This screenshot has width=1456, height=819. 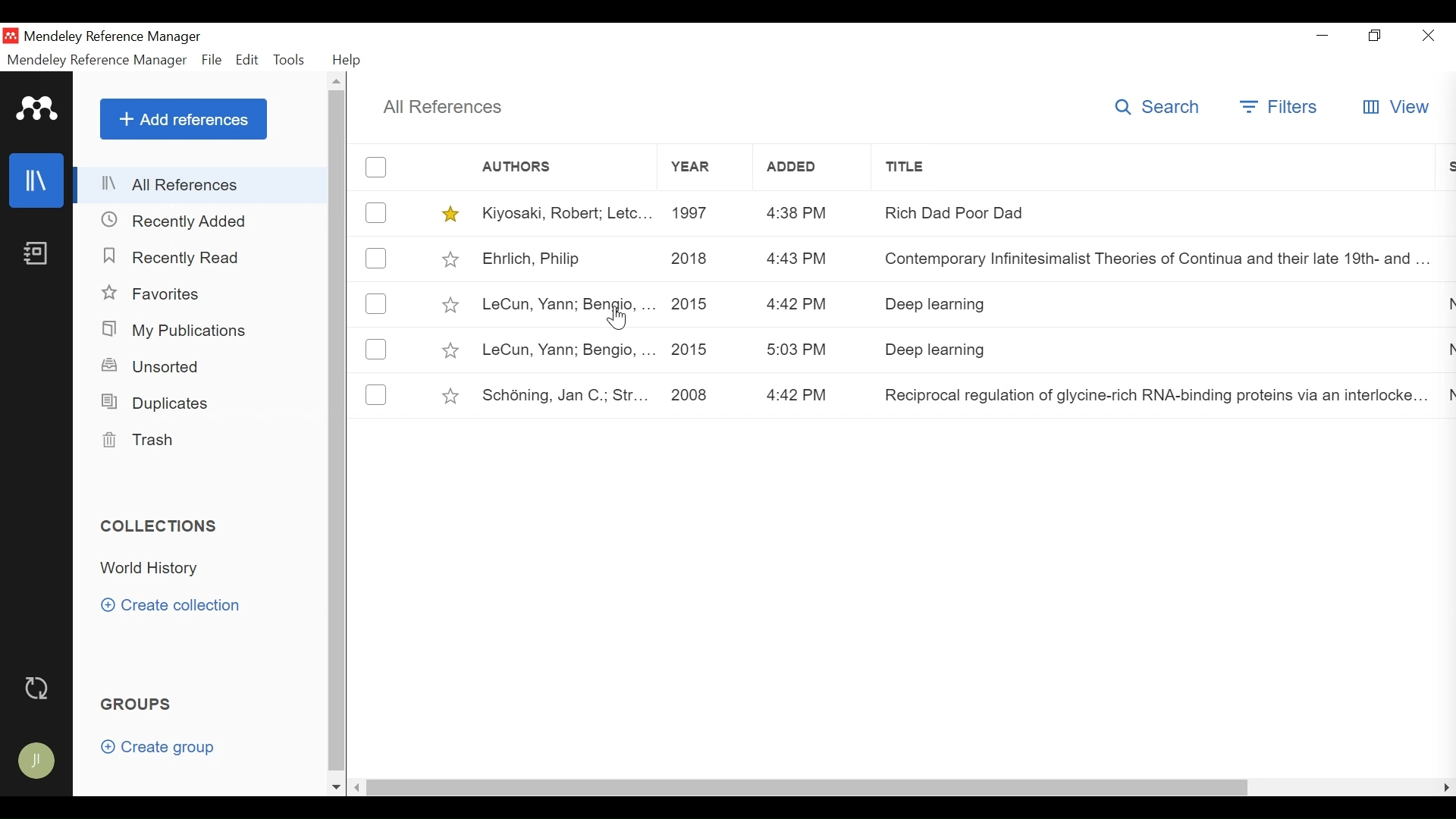 I want to click on Rich Dad Poor Dad, so click(x=1157, y=212).